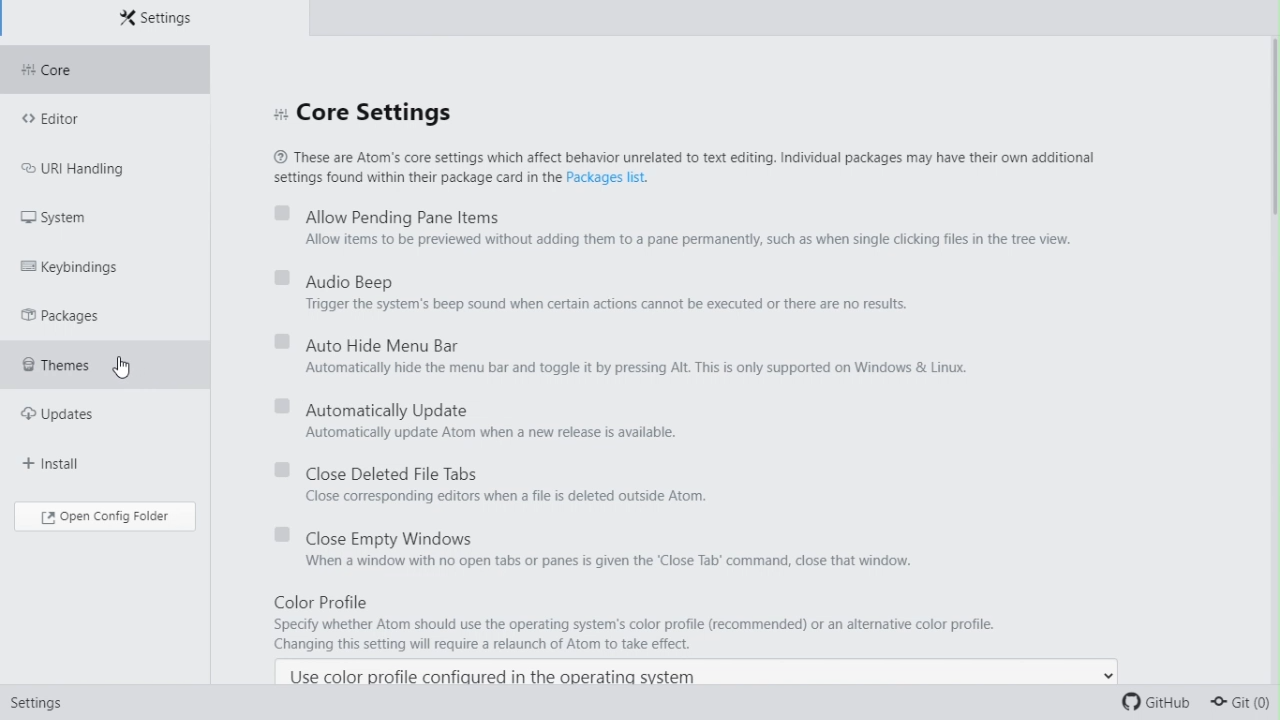 The image size is (1280, 720). Describe the element at coordinates (495, 675) in the screenshot. I see `Use color profile configured in the operating system` at that location.